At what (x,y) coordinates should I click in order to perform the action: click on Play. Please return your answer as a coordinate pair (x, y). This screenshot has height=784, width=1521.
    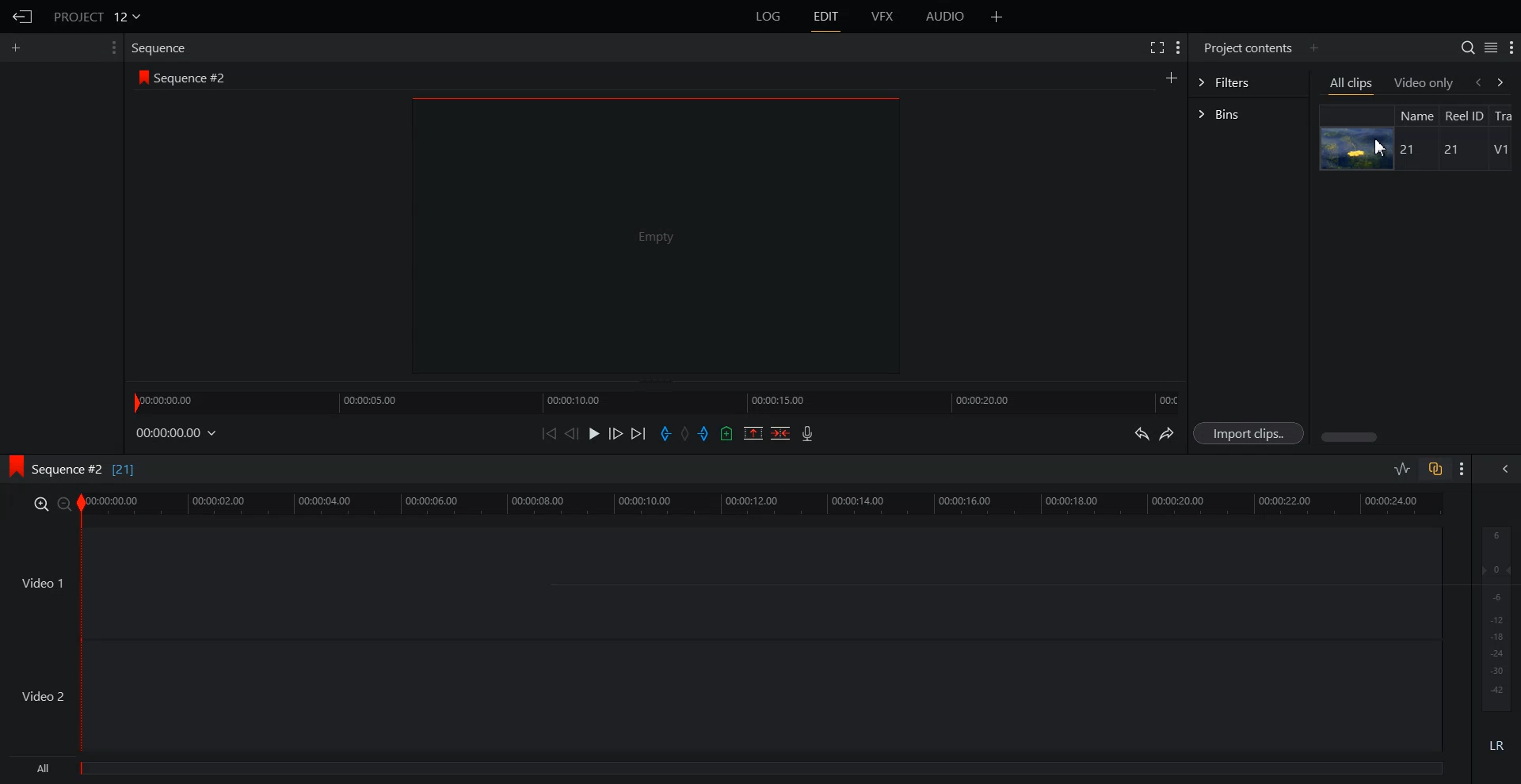
    Looking at the image, I should click on (594, 433).